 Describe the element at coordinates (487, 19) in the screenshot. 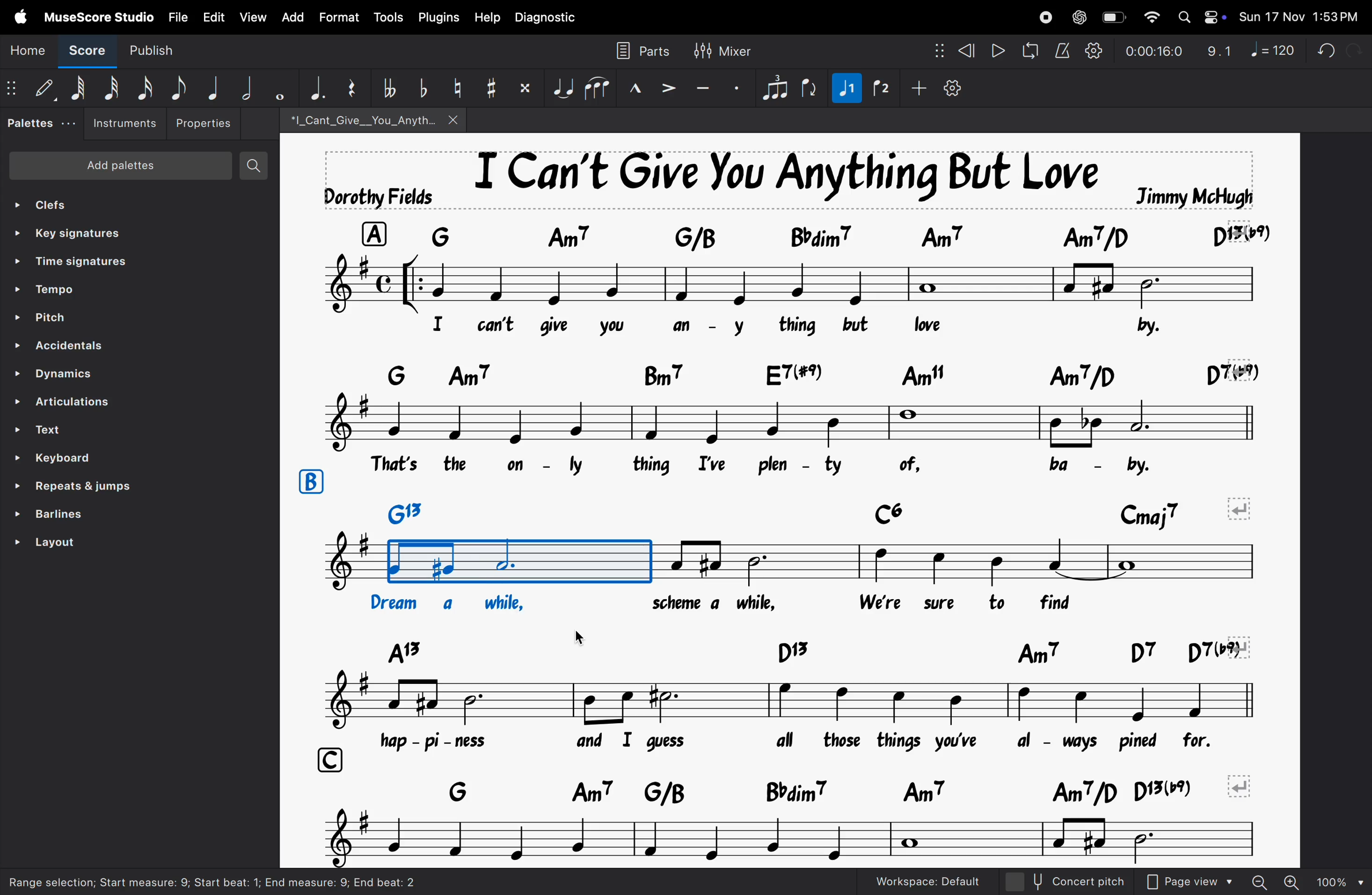

I see `help` at that location.